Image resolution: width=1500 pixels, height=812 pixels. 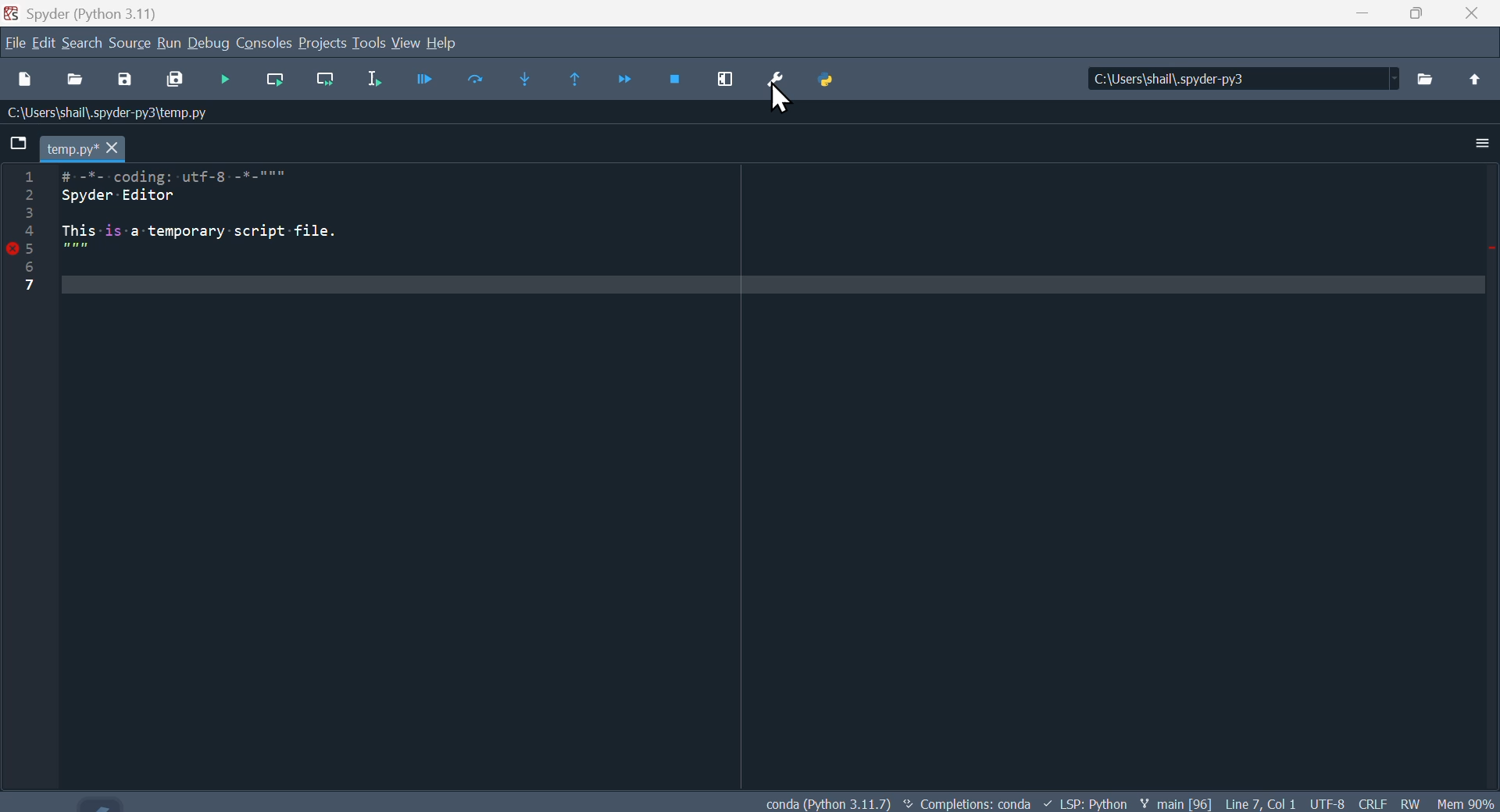 I want to click on Run current line and go to the next one, so click(x=326, y=77).